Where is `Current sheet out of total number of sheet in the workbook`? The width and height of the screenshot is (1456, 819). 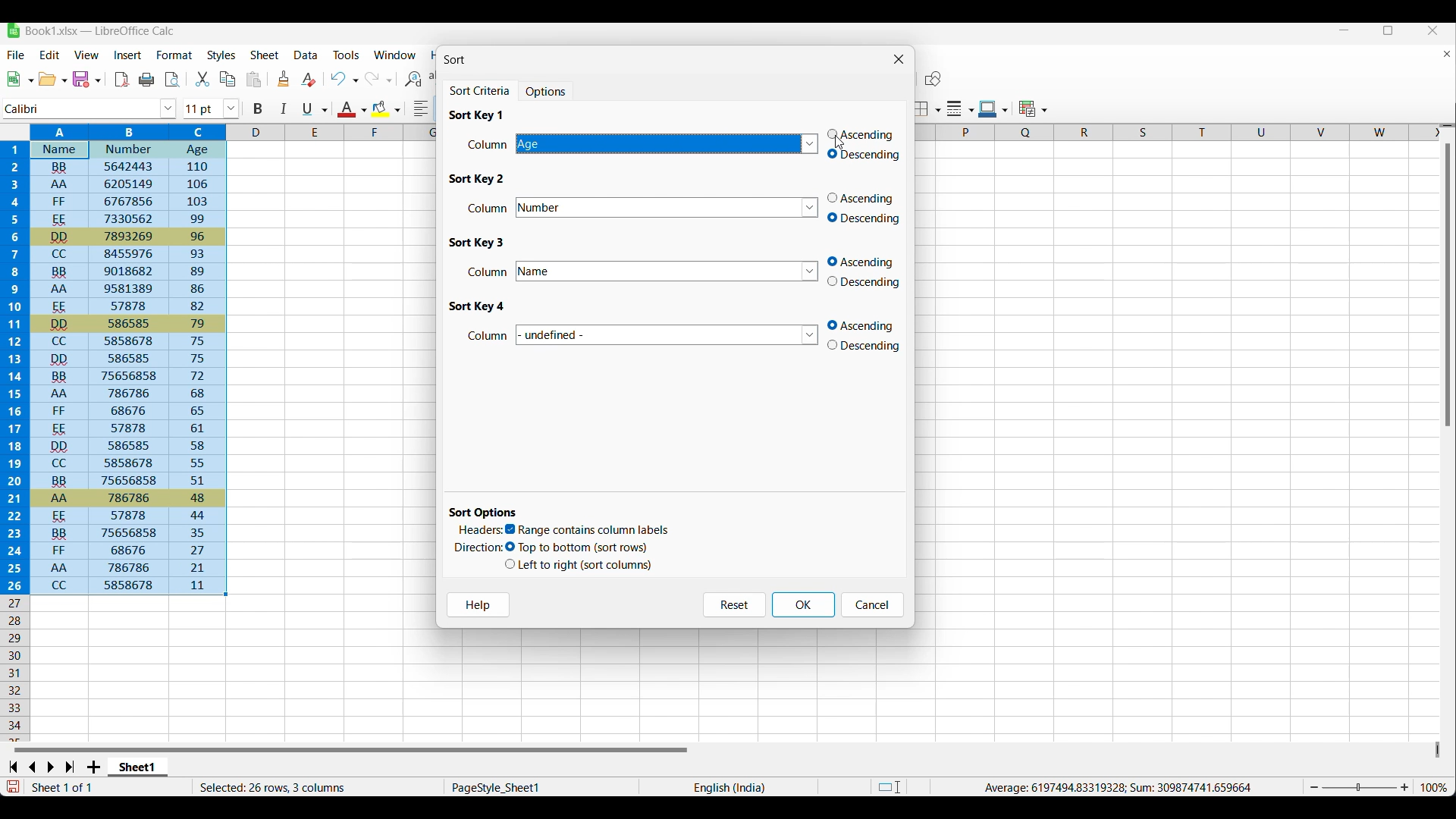 Current sheet out of total number of sheet in the workbook is located at coordinates (93, 787).